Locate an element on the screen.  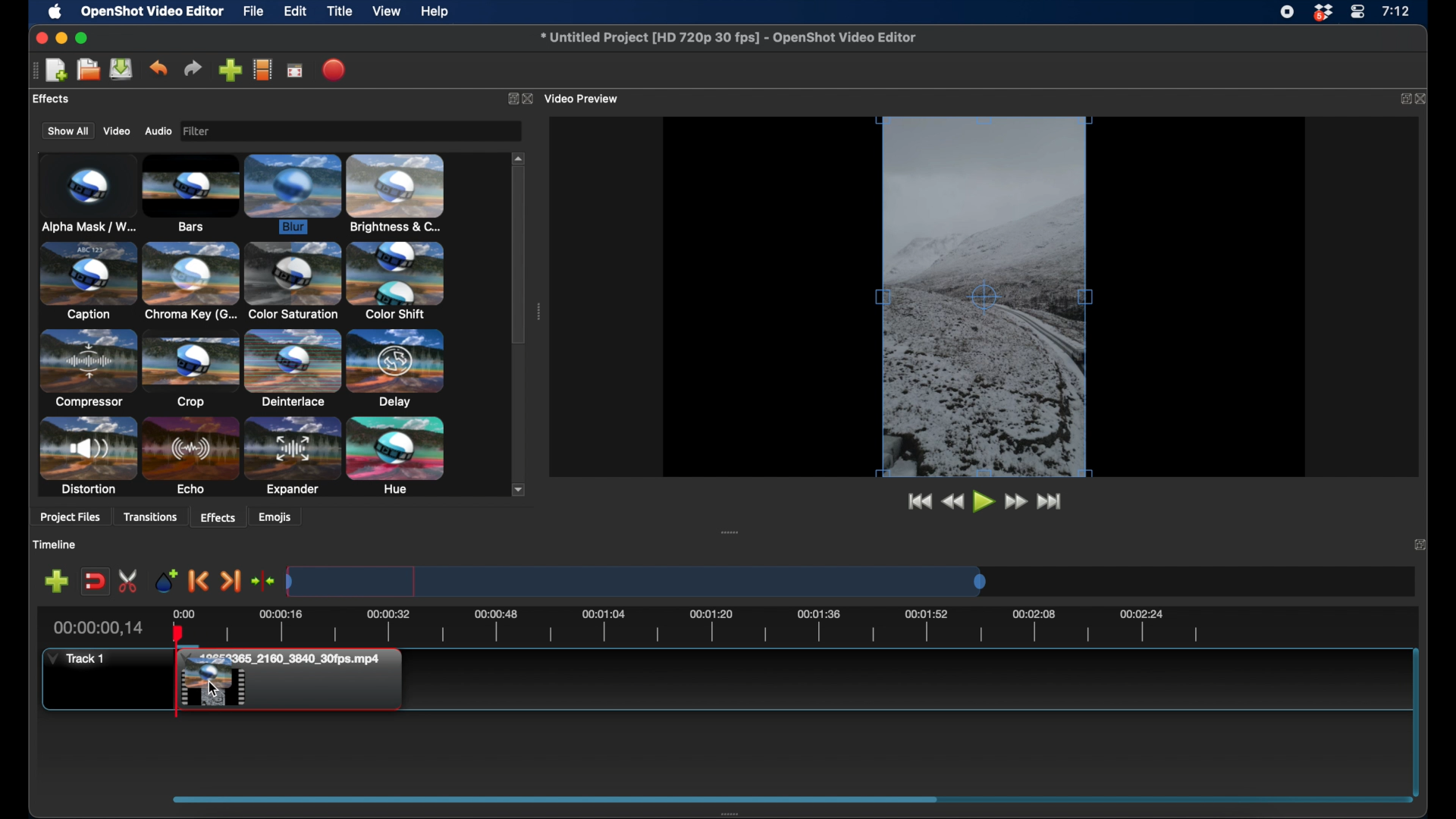
minimize is located at coordinates (61, 39).